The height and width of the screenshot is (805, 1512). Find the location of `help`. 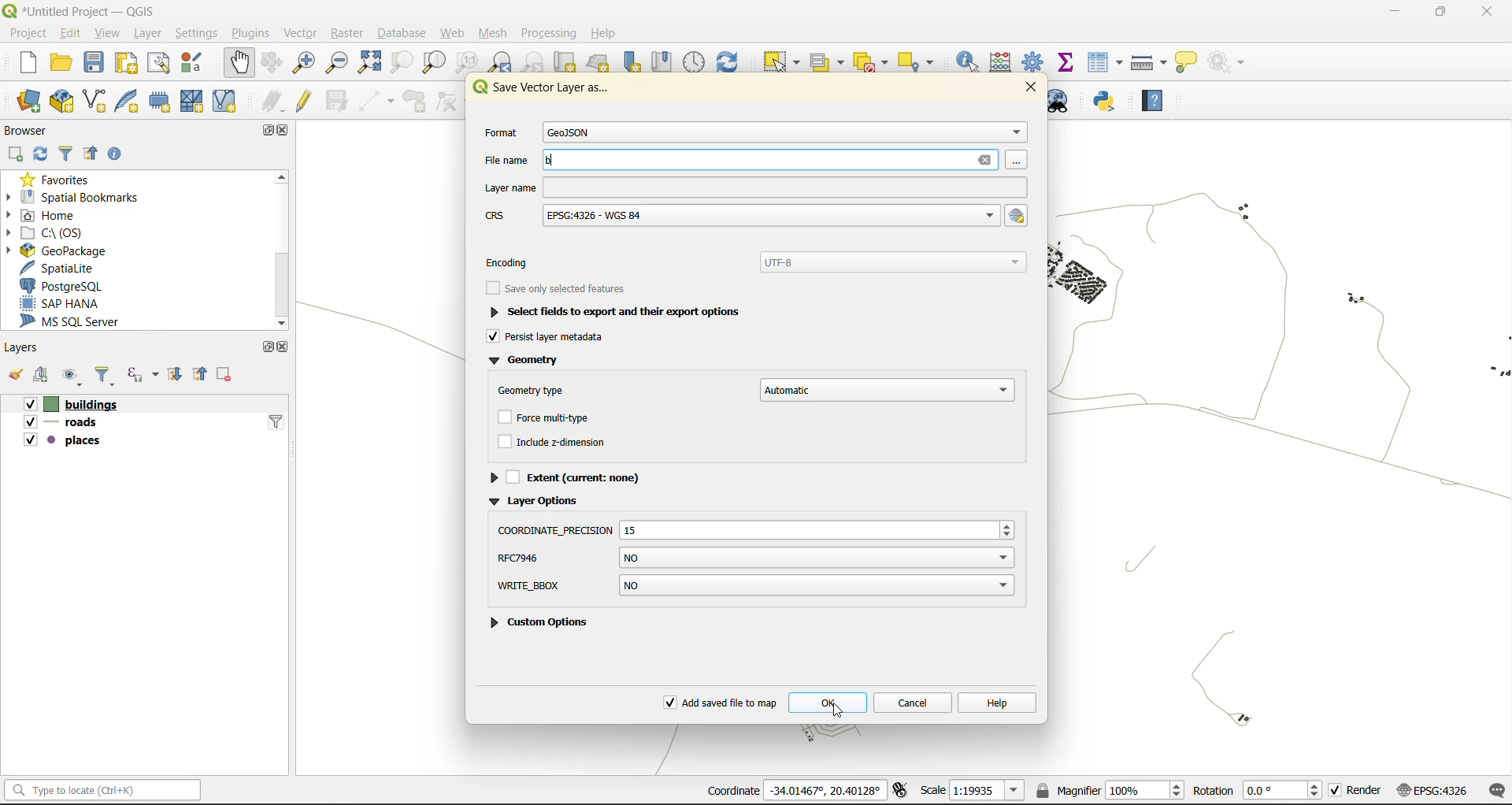

help is located at coordinates (1154, 101).